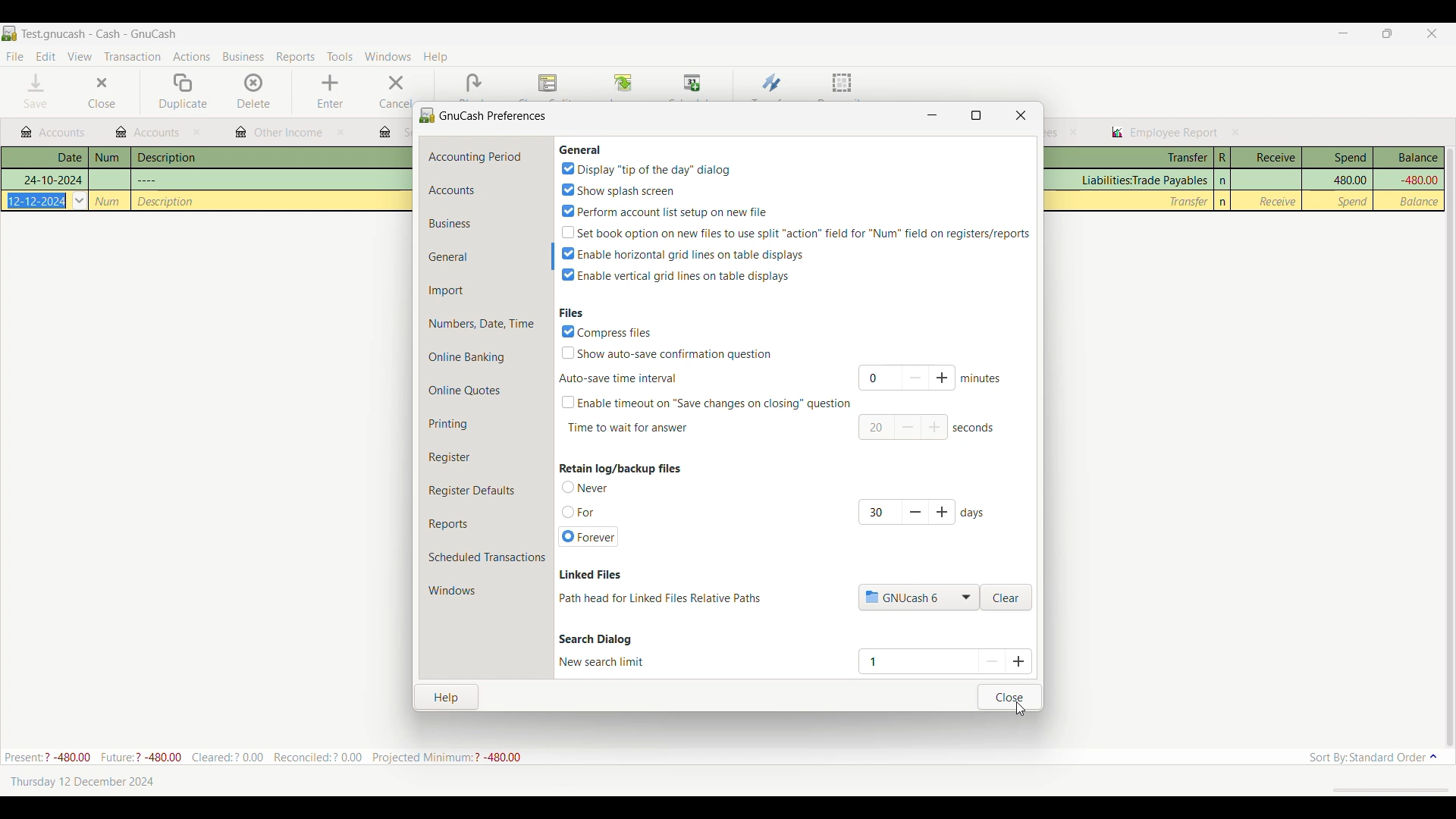  I want to click on Transfer column, so click(1142, 180).